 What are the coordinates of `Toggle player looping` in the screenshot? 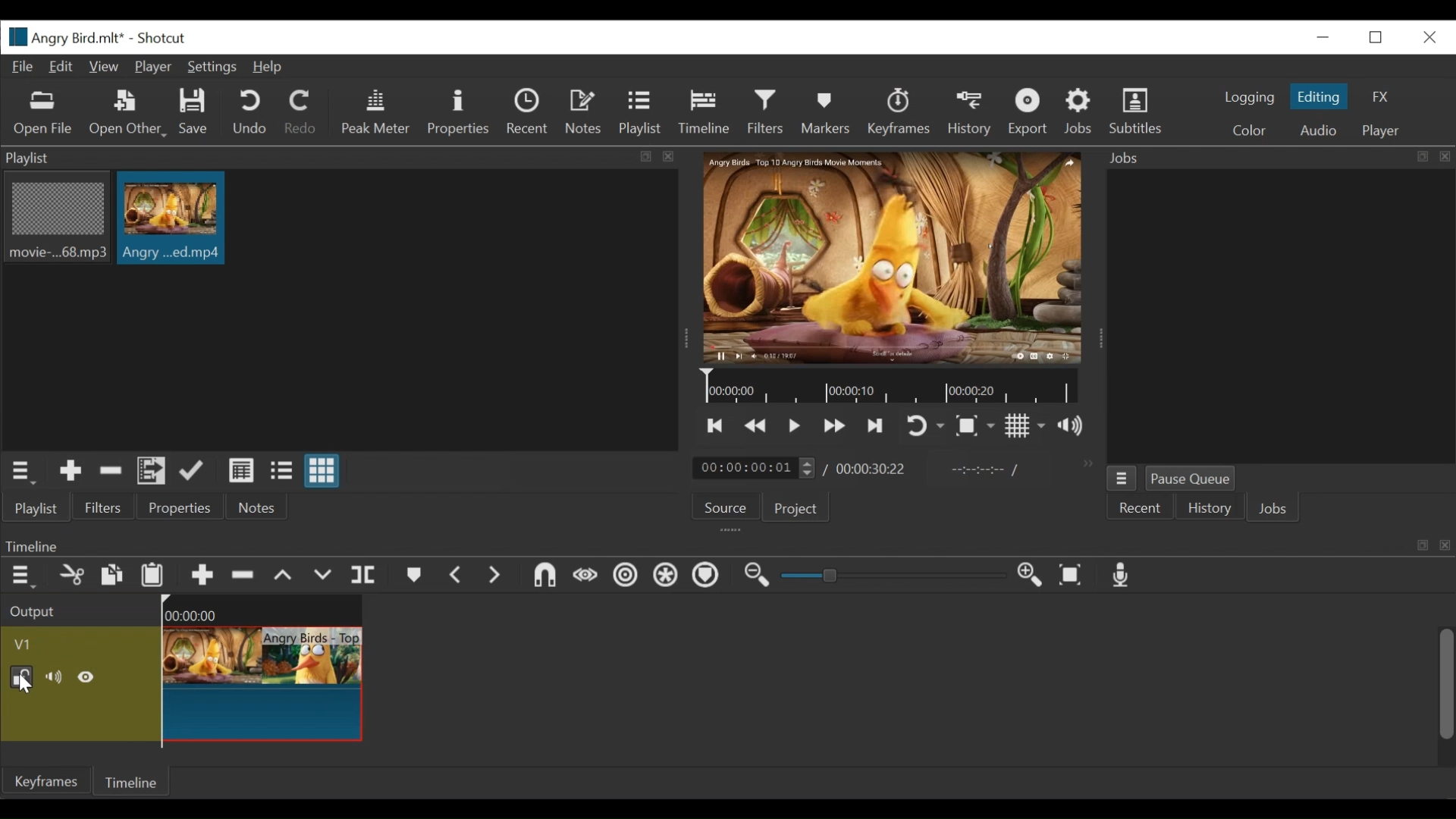 It's located at (923, 427).